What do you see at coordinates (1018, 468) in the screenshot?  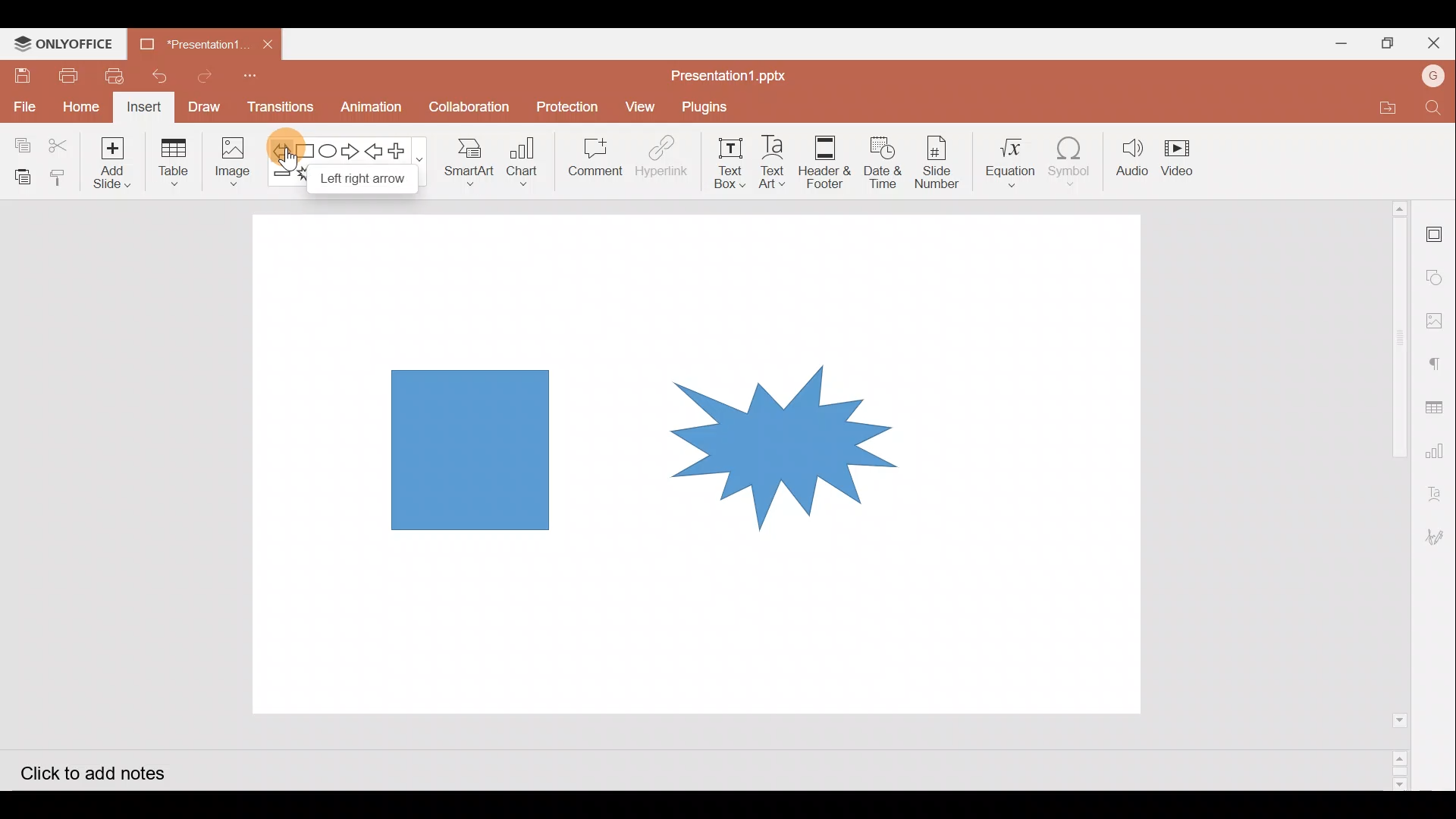 I see `Presentation slide` at bounding box center [1018, 468].